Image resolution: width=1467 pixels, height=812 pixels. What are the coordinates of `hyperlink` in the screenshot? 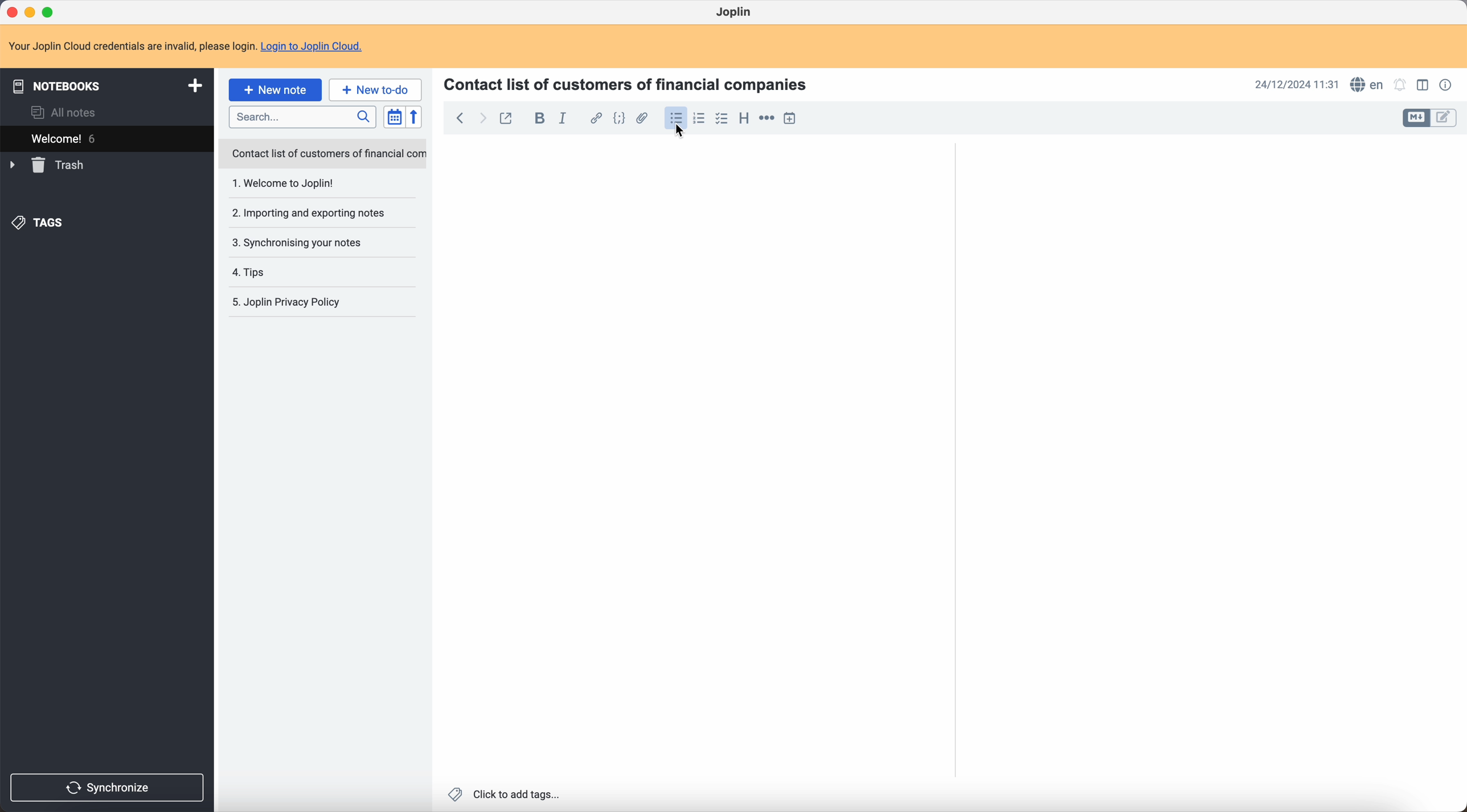 It's located at (595, 118).